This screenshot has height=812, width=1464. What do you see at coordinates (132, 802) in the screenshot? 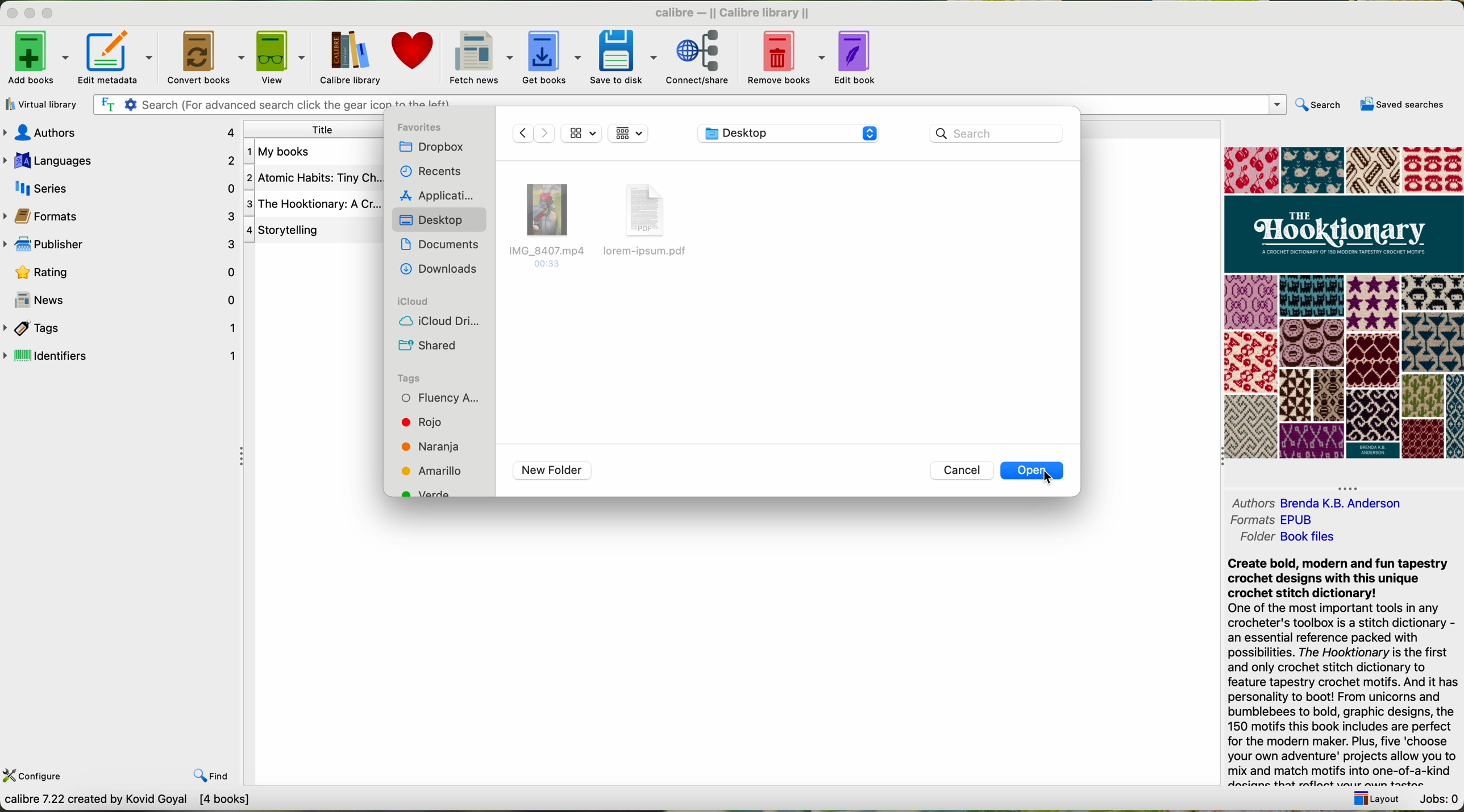
I see `convert books between different e-book formats` at bounding box center [132, 802].